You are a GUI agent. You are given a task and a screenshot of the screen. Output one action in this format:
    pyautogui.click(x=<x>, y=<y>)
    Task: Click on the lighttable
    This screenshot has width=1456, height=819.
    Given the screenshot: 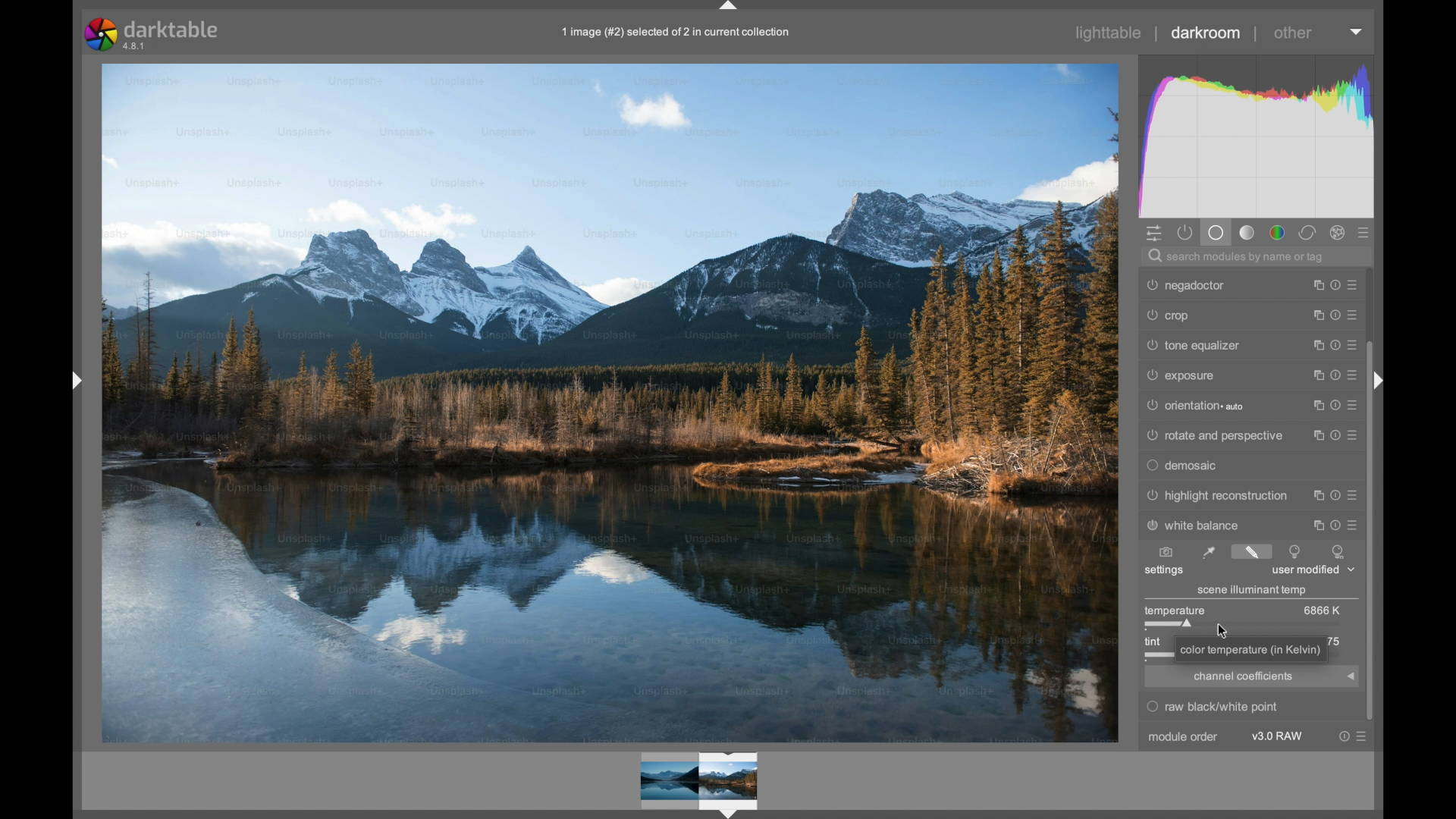 What is the action you would take?
    pyautogui.click(x=1109, y=33)
    